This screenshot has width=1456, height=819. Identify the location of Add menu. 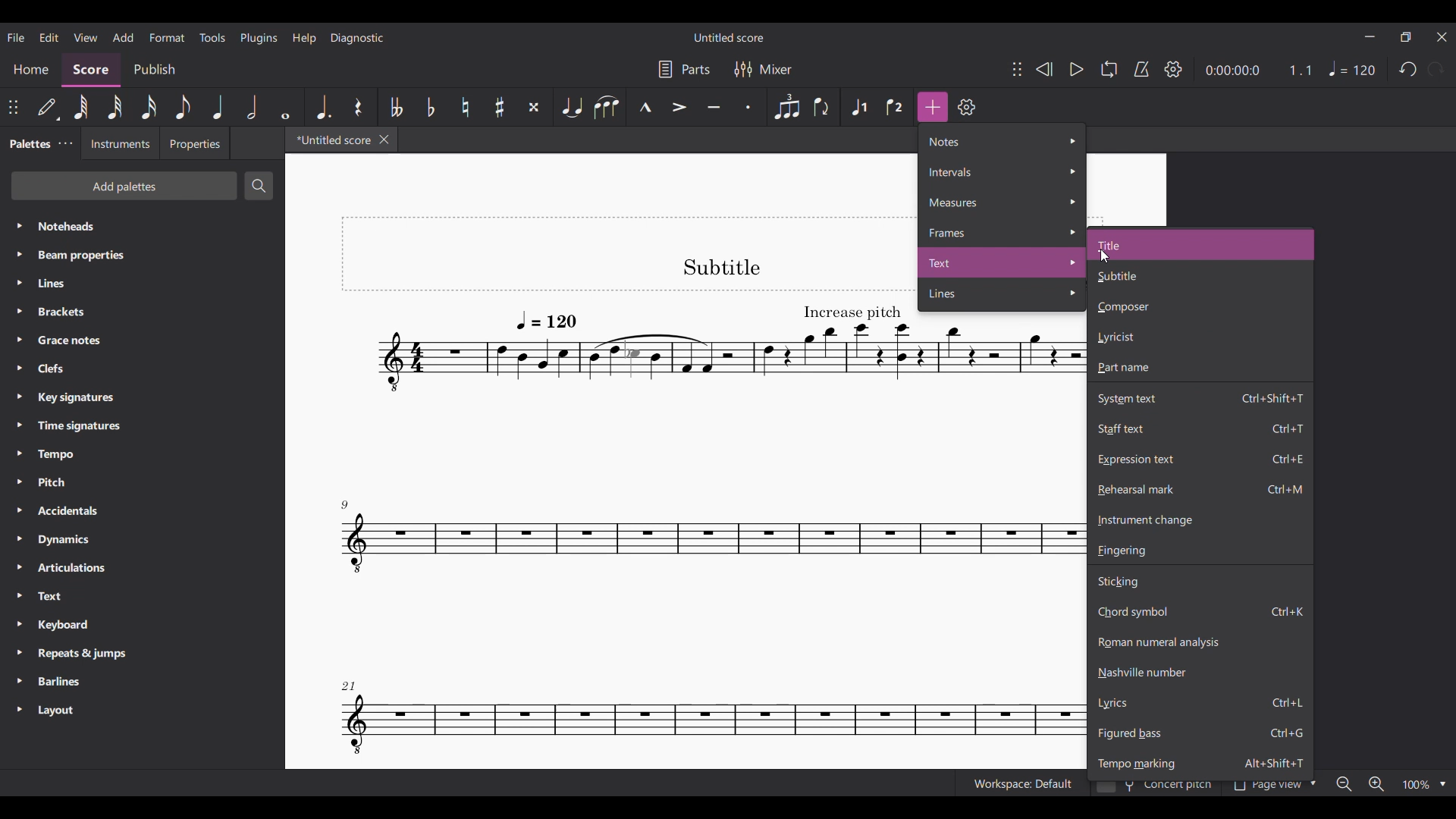
(123, 37).